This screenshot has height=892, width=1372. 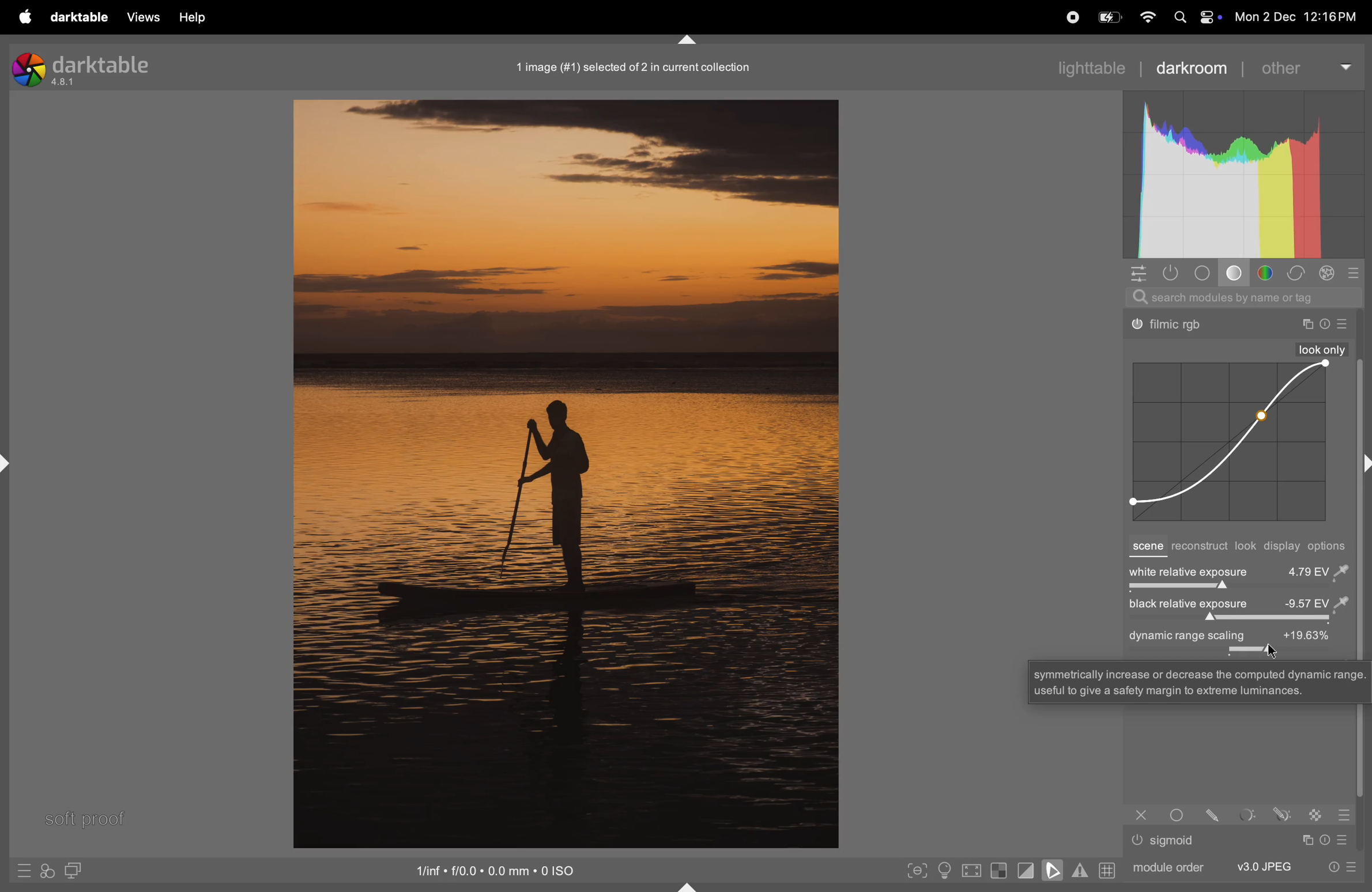 What do you see at coordinates (1216, 814) in the screenshot?
I see `` at bounding box center [1216, 814].